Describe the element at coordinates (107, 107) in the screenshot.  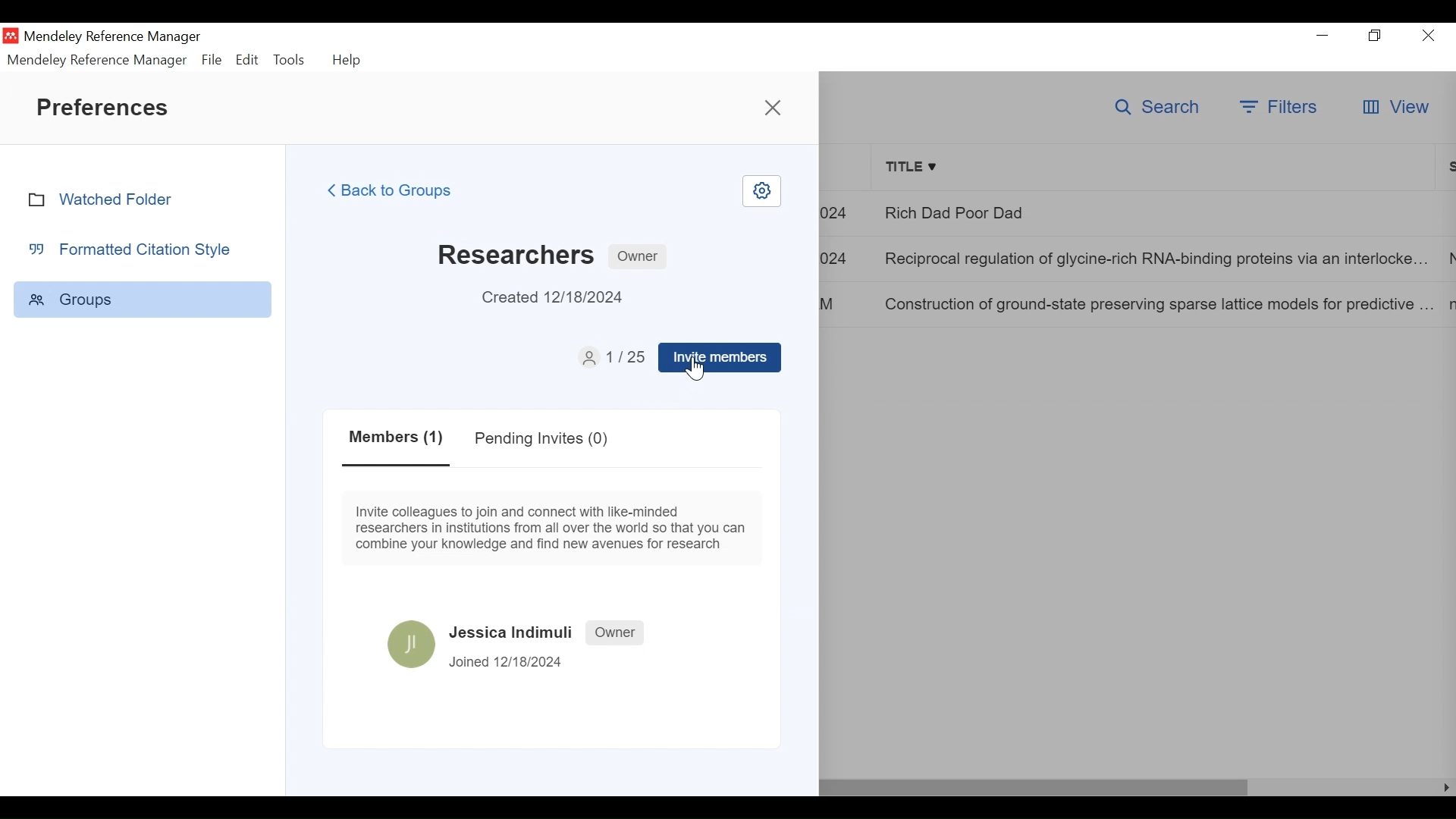
I see `Preferences` at that location.